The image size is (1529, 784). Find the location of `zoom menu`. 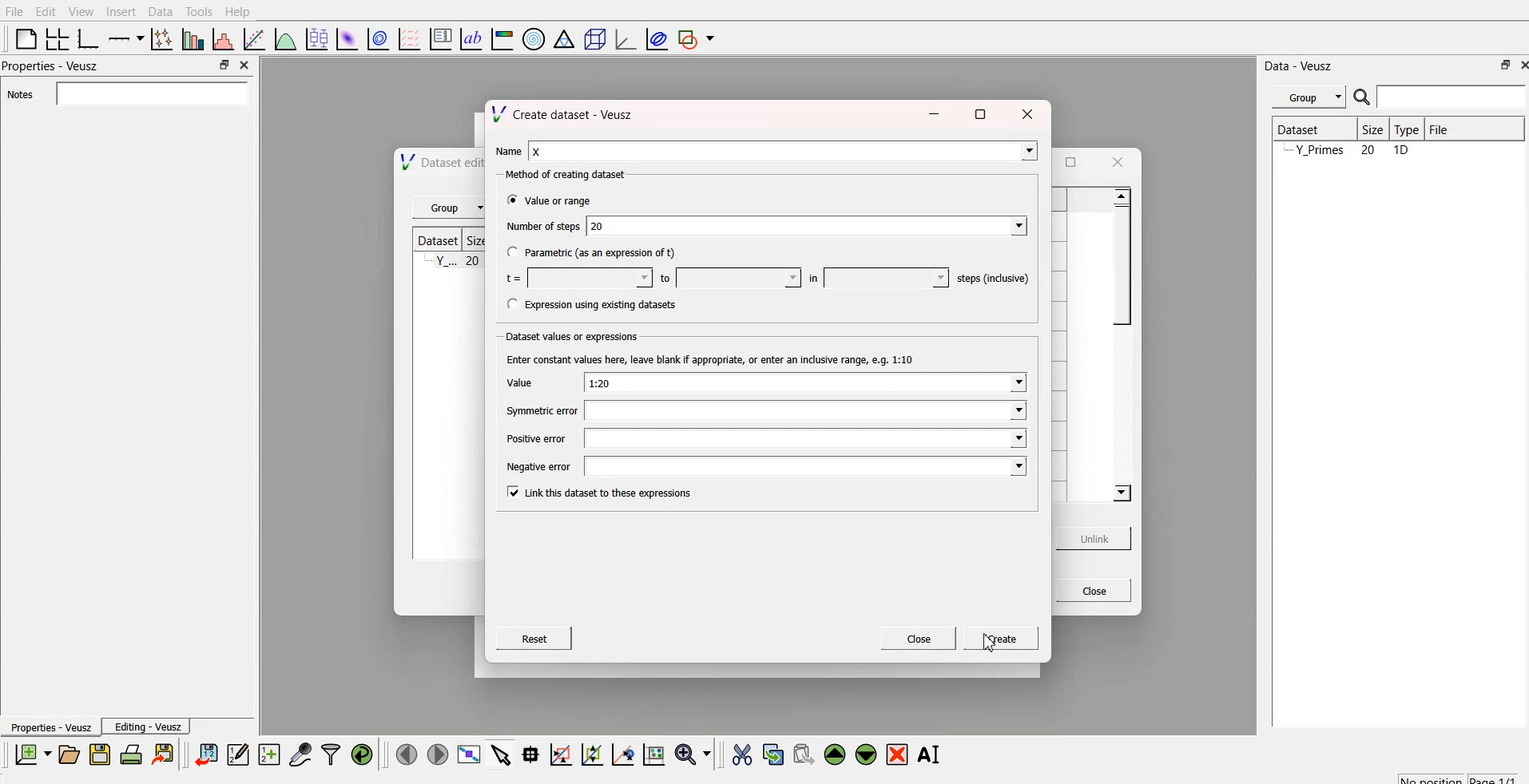

zoom menu is located at coordinates (693, 754).